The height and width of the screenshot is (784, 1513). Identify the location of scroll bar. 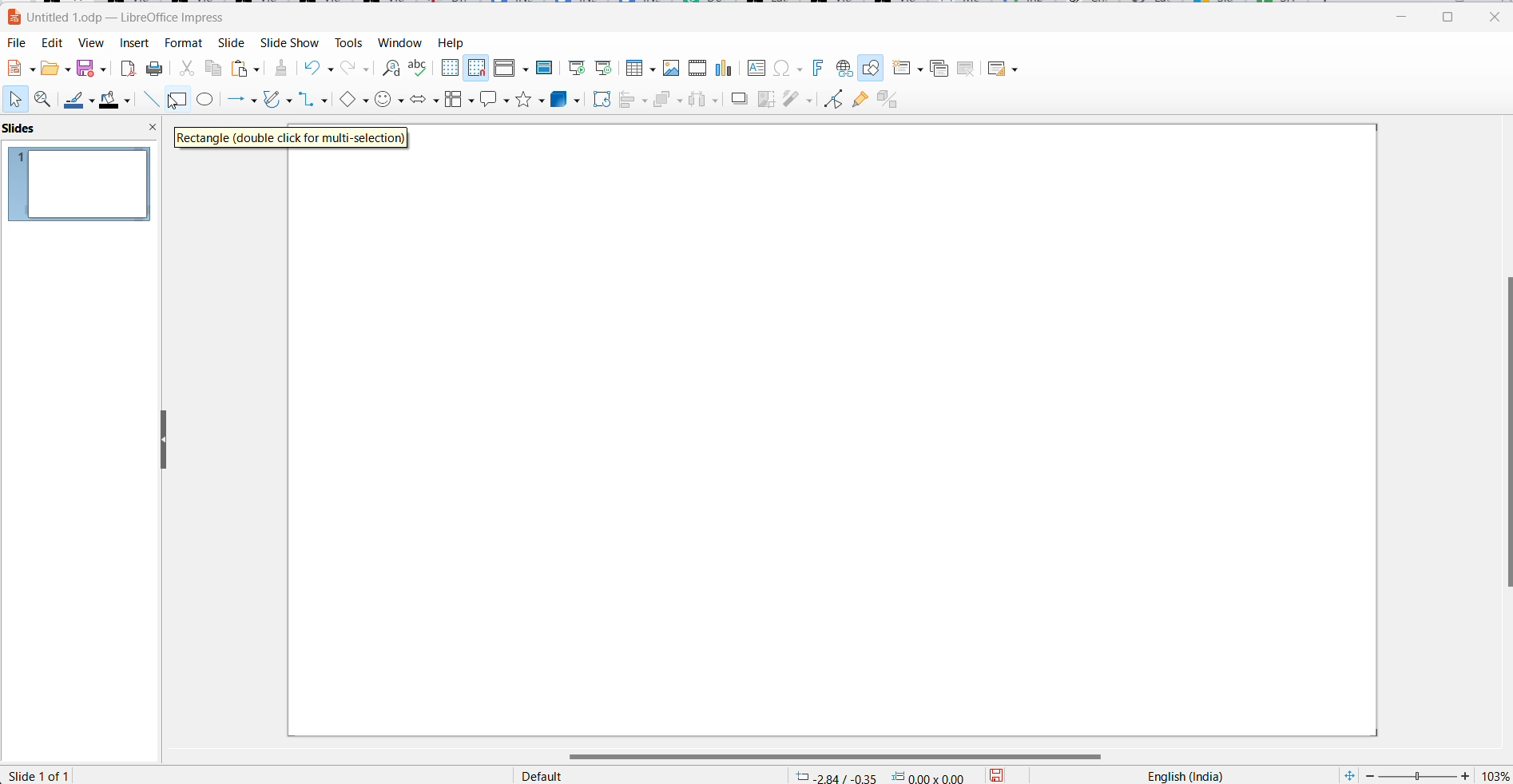
(1503, 433).